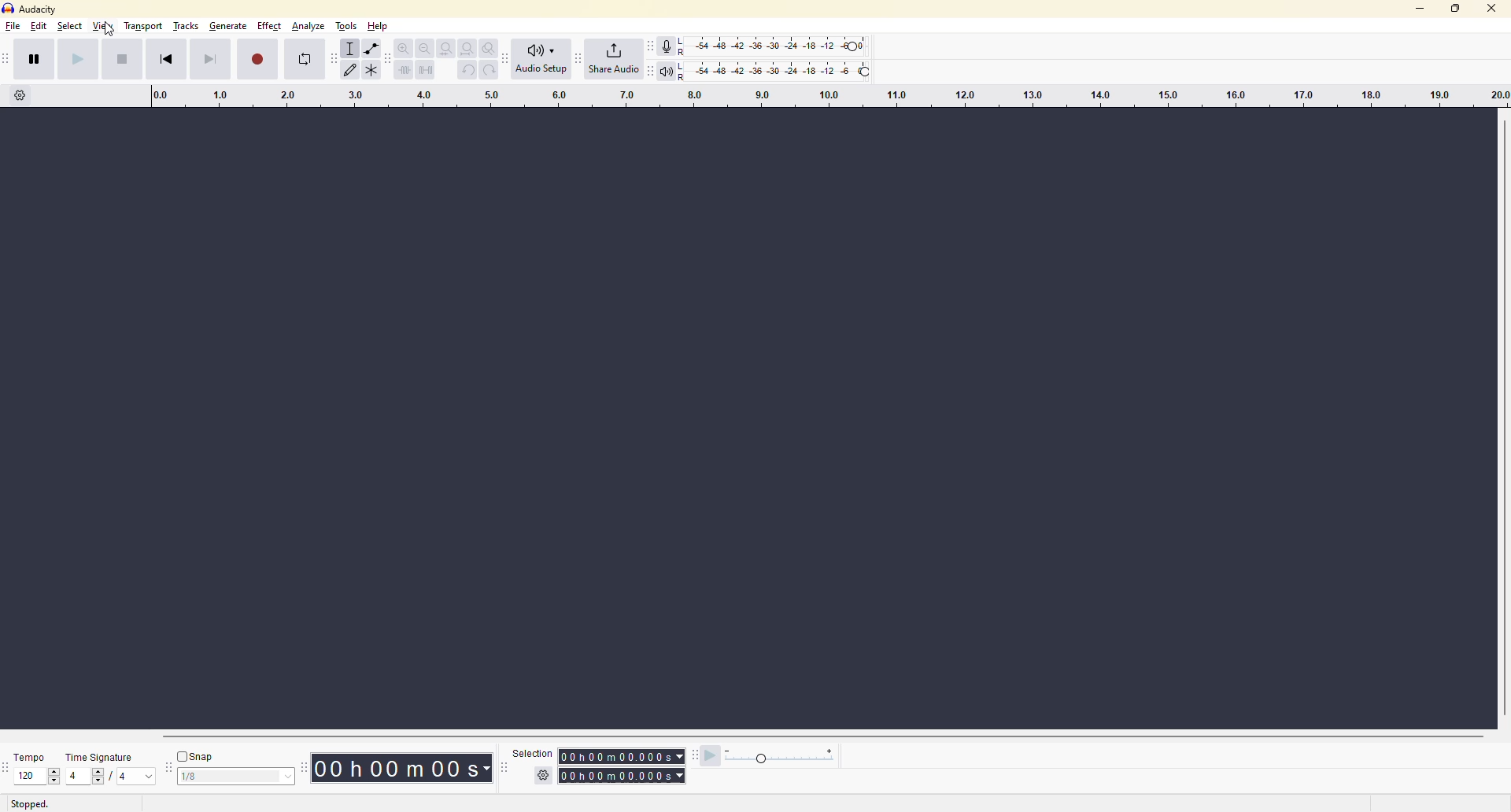 The height and width of the screenshot is (812, 1511). I want to click on view, so click(104, 28).